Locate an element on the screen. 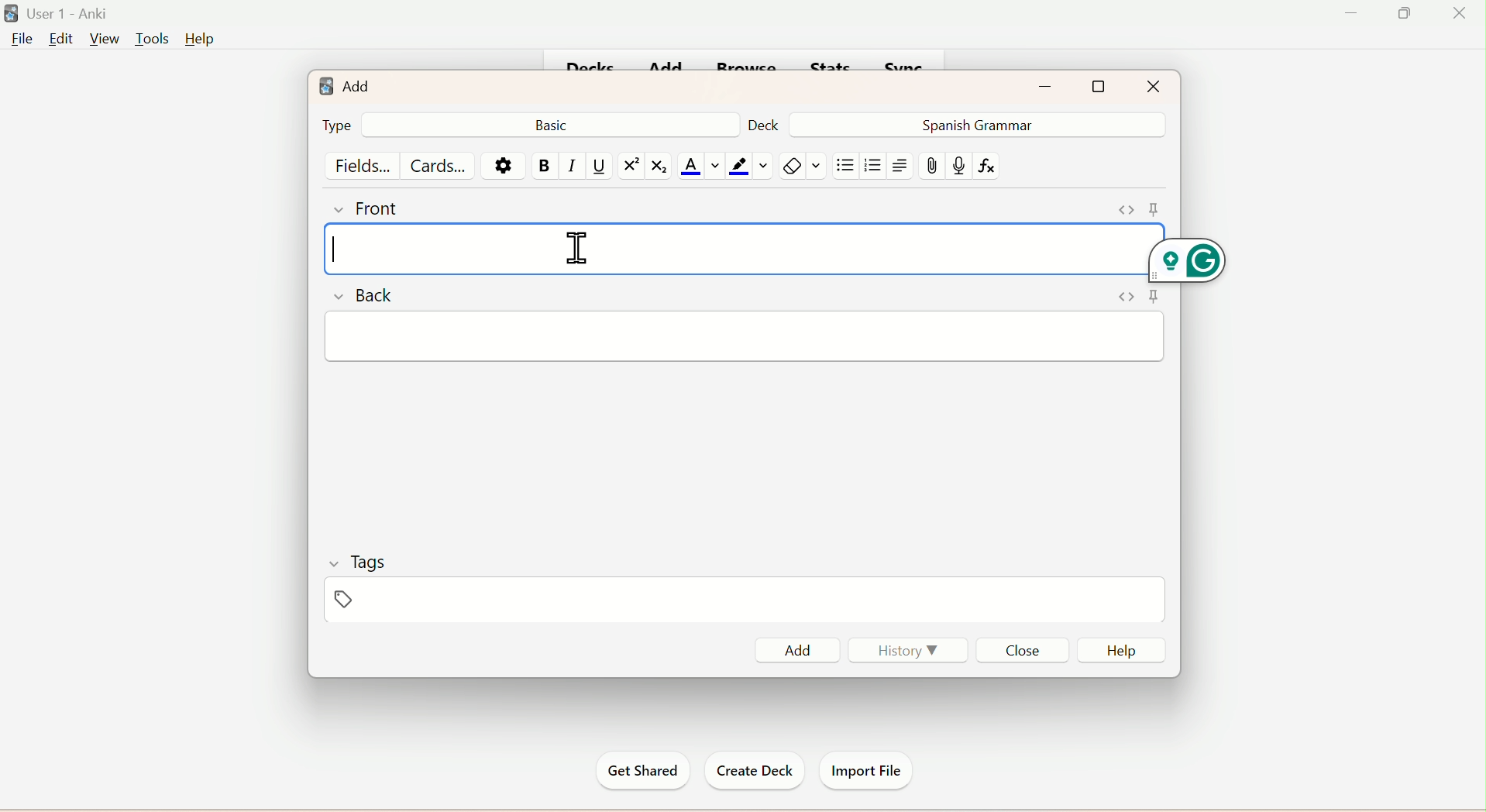  Maximize is located at coordinates (1410, 12).